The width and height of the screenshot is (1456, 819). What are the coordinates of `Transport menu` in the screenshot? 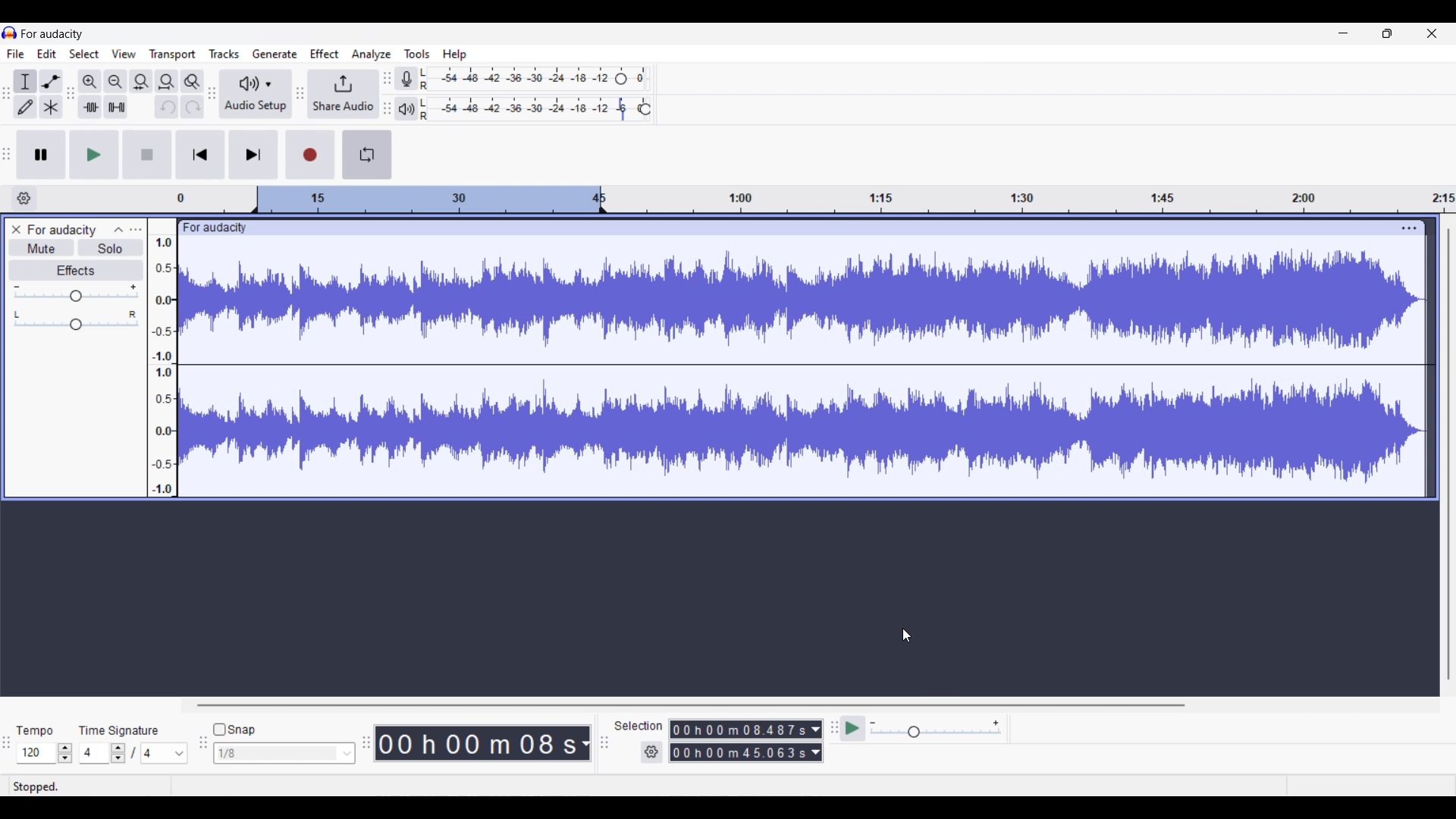 It's located at (173, 55).